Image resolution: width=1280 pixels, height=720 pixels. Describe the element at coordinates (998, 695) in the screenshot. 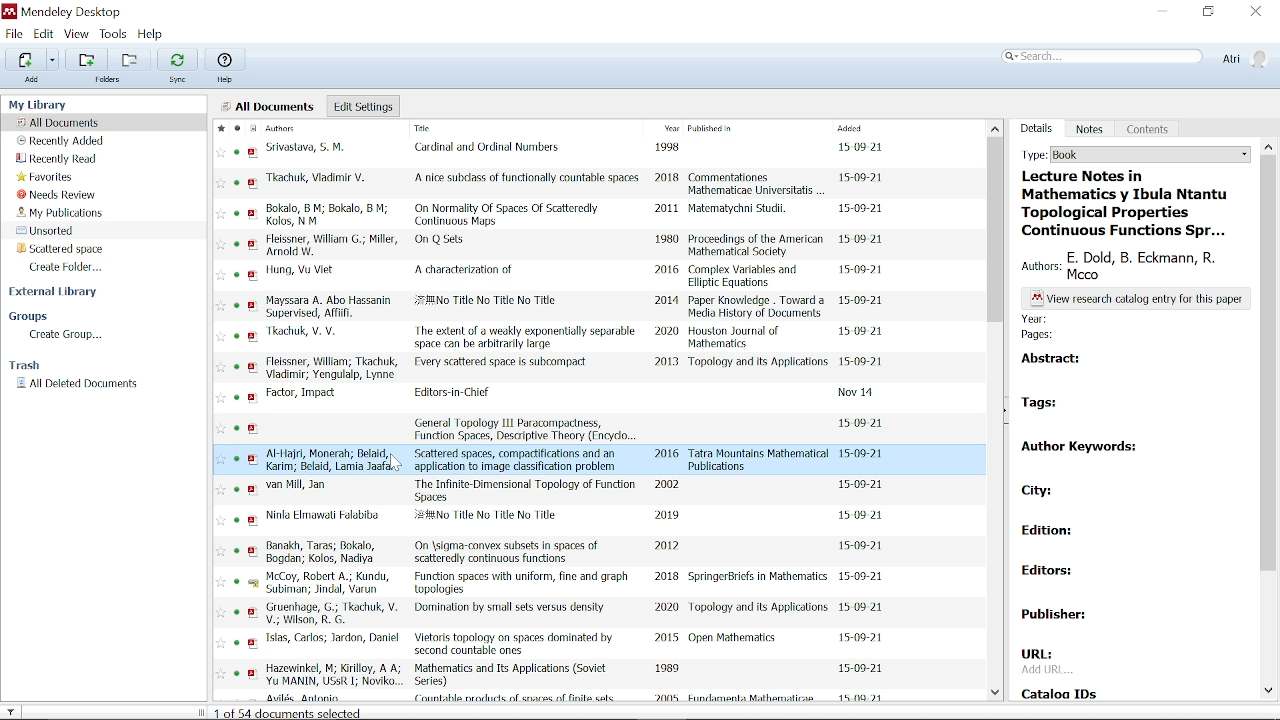

I see `Move down in all files` at that location.